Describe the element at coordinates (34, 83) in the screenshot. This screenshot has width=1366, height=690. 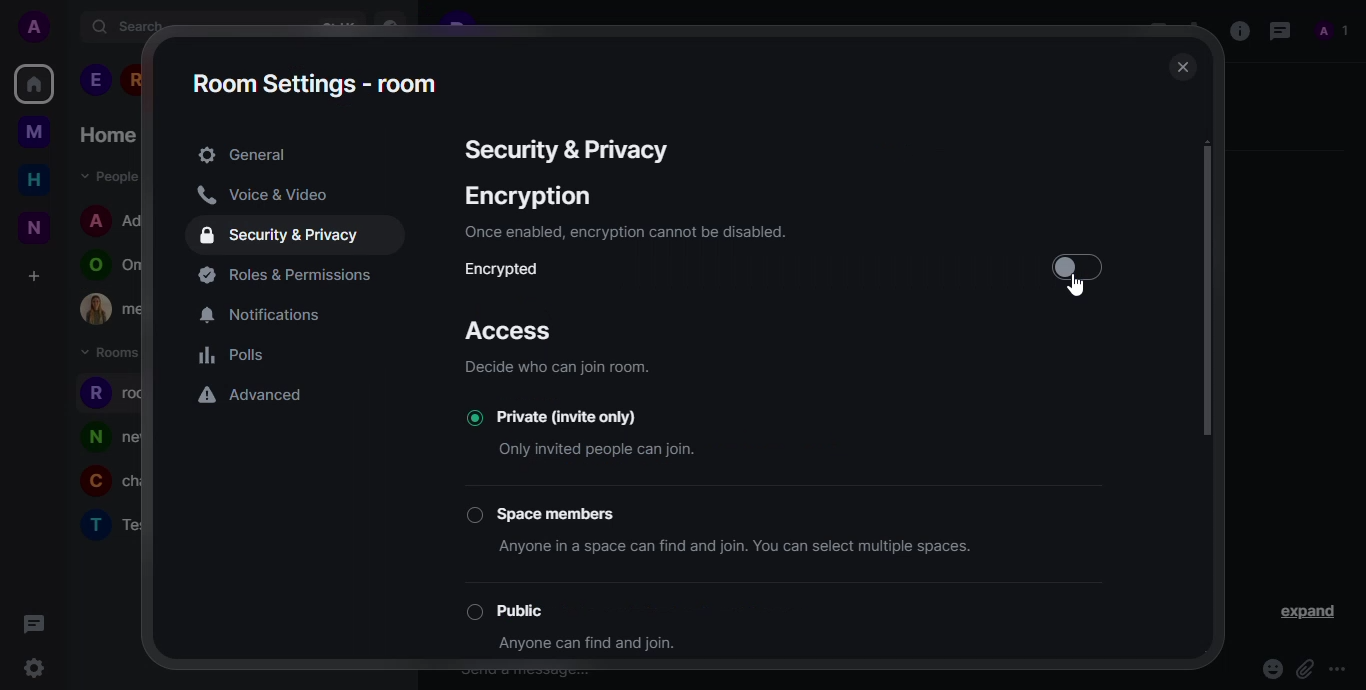
I see `home` at that location.